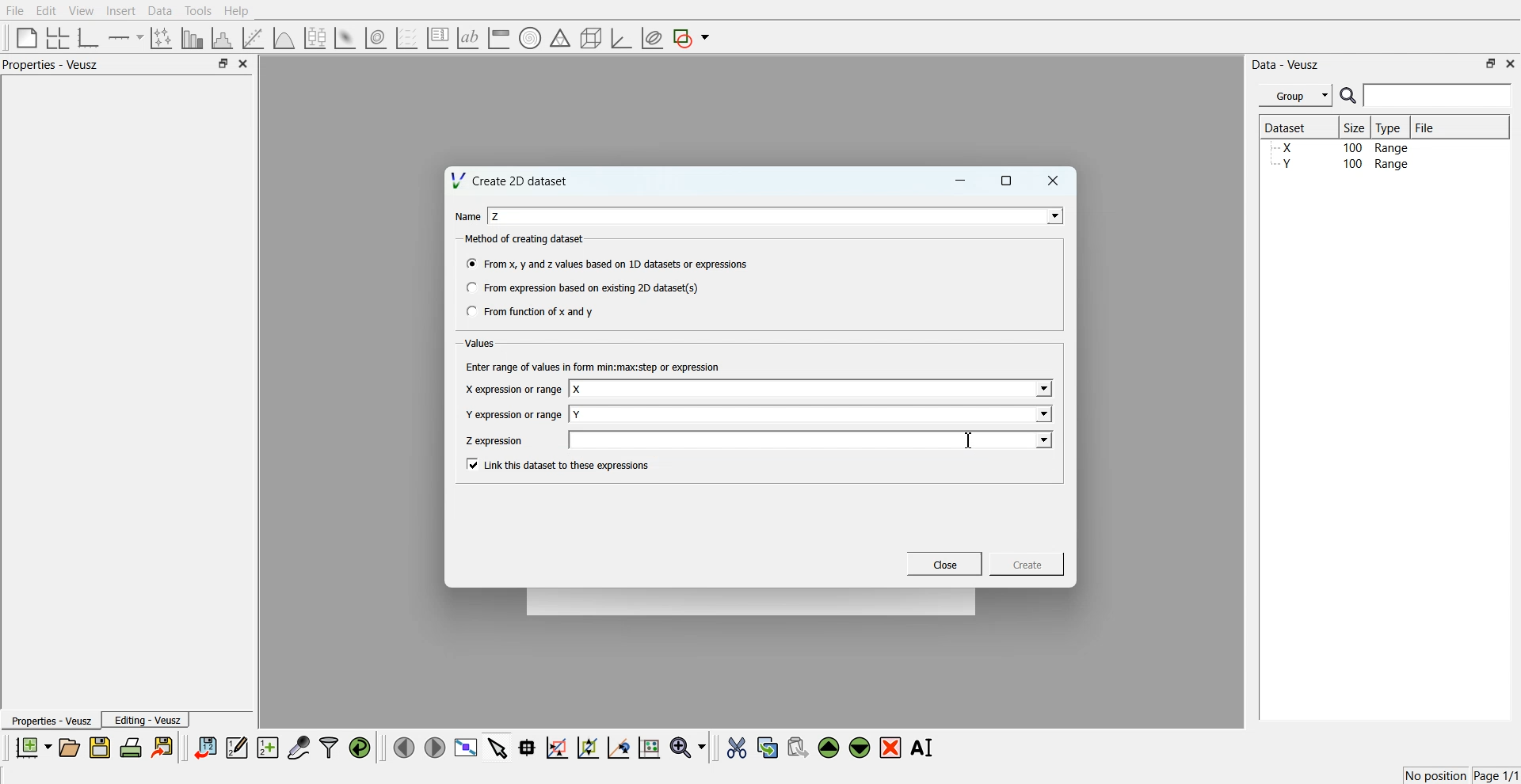 This screenshot has height=784, width=1521. I want to click on Print the document, so click(130, 747).